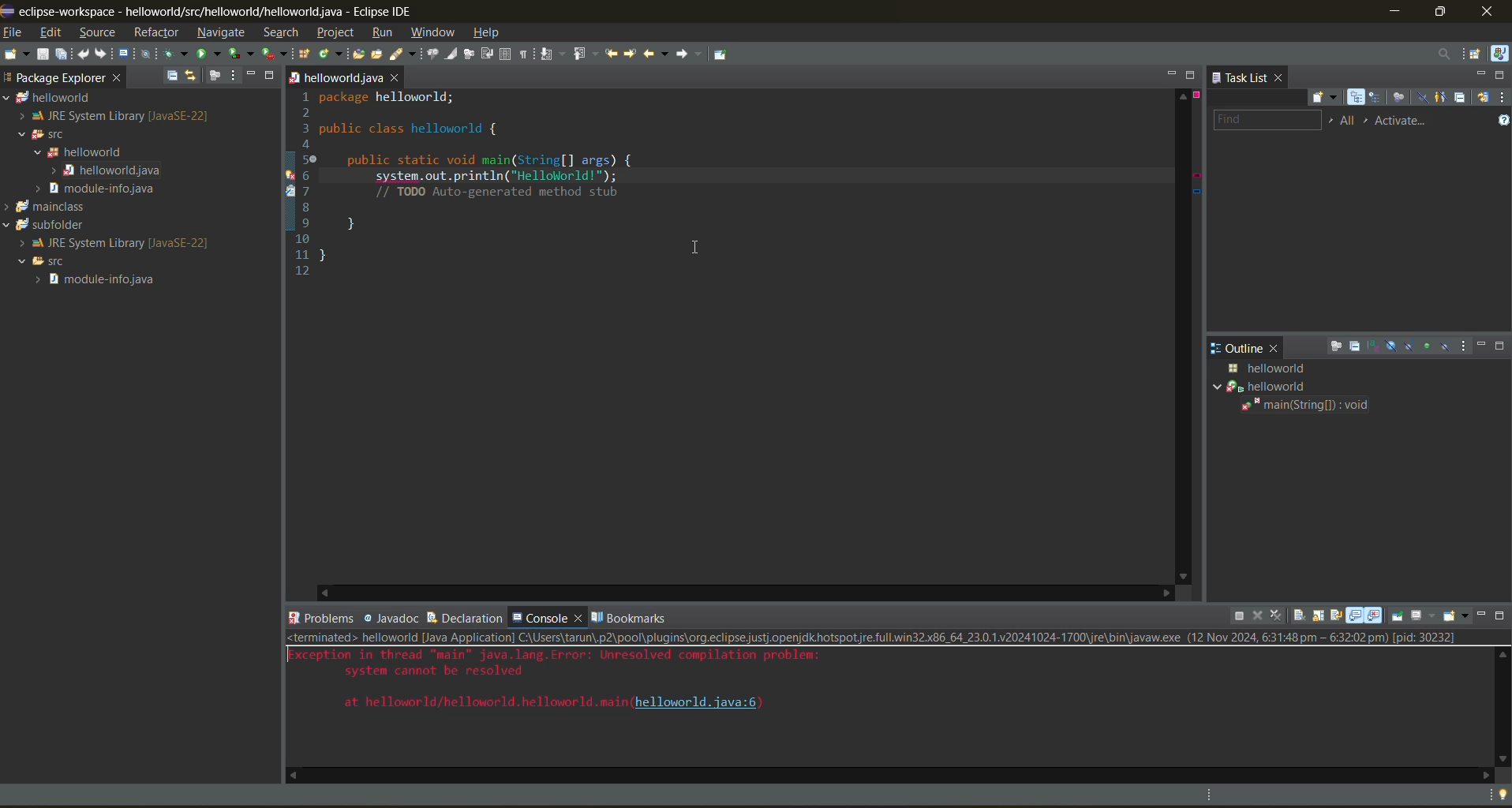  I want to click on hide completed tasks, so click(1420, 96).